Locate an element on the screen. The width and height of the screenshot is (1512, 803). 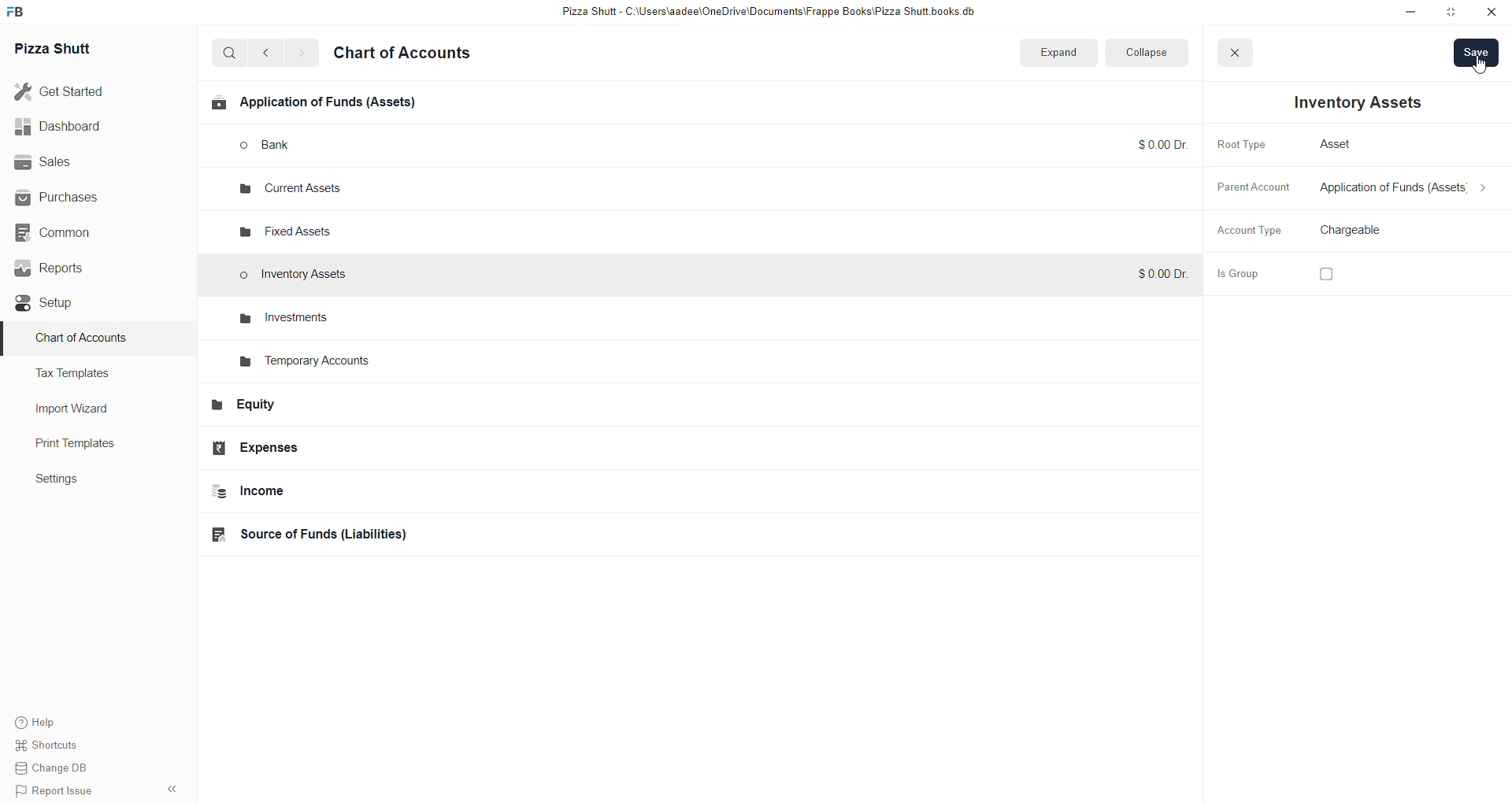
change DB is located at coordinates (51, 771).